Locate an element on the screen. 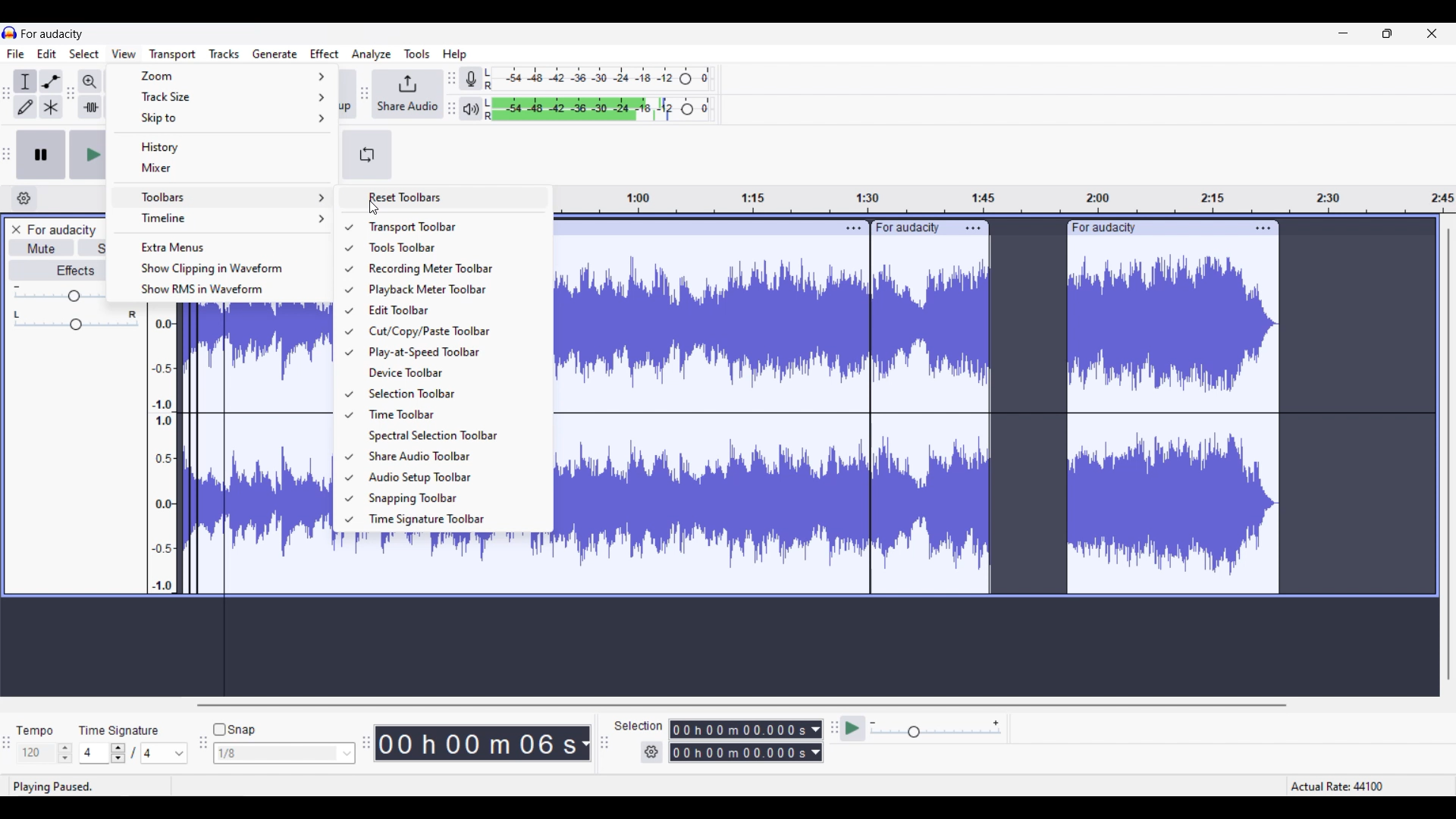 Image resolution: width=1456 pixels, height=819 pixels. Recording level is located at coordinates (598, 79).